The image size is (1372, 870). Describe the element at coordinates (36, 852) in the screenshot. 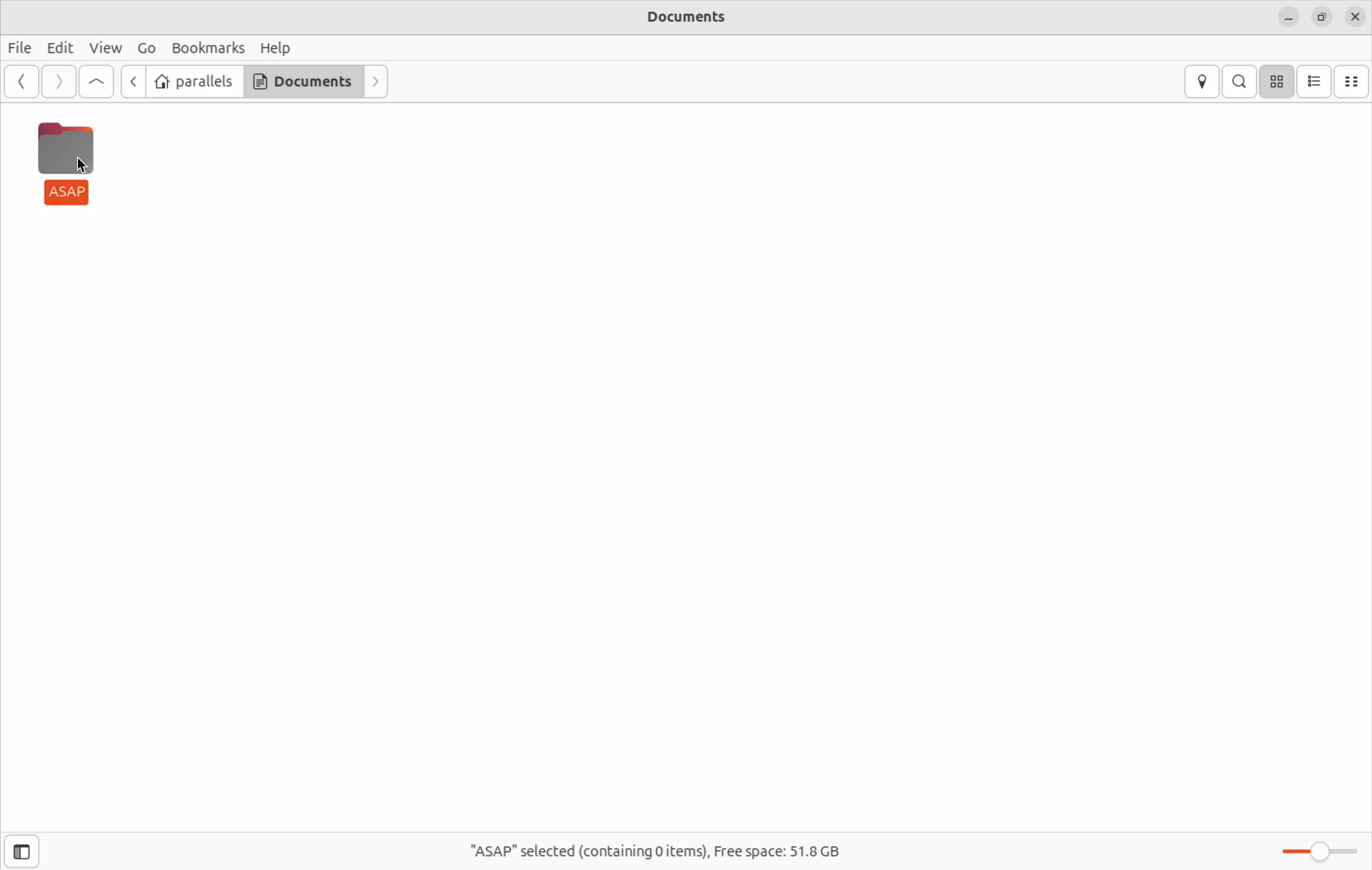

I see `open sidebar` at that location.